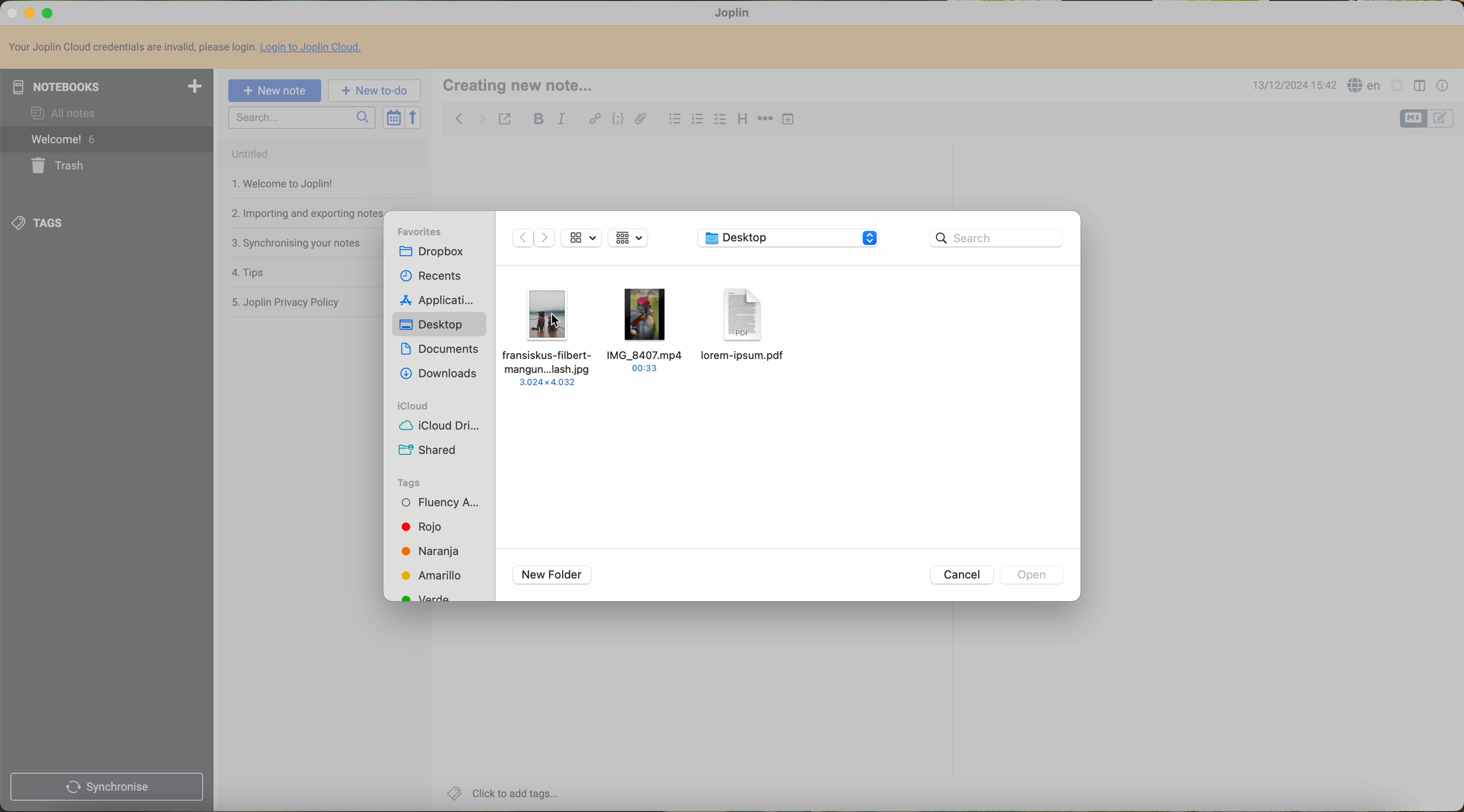  Describe the element at coordinates (11, 12) in the screenshot. I see `close Calibre` at that location.